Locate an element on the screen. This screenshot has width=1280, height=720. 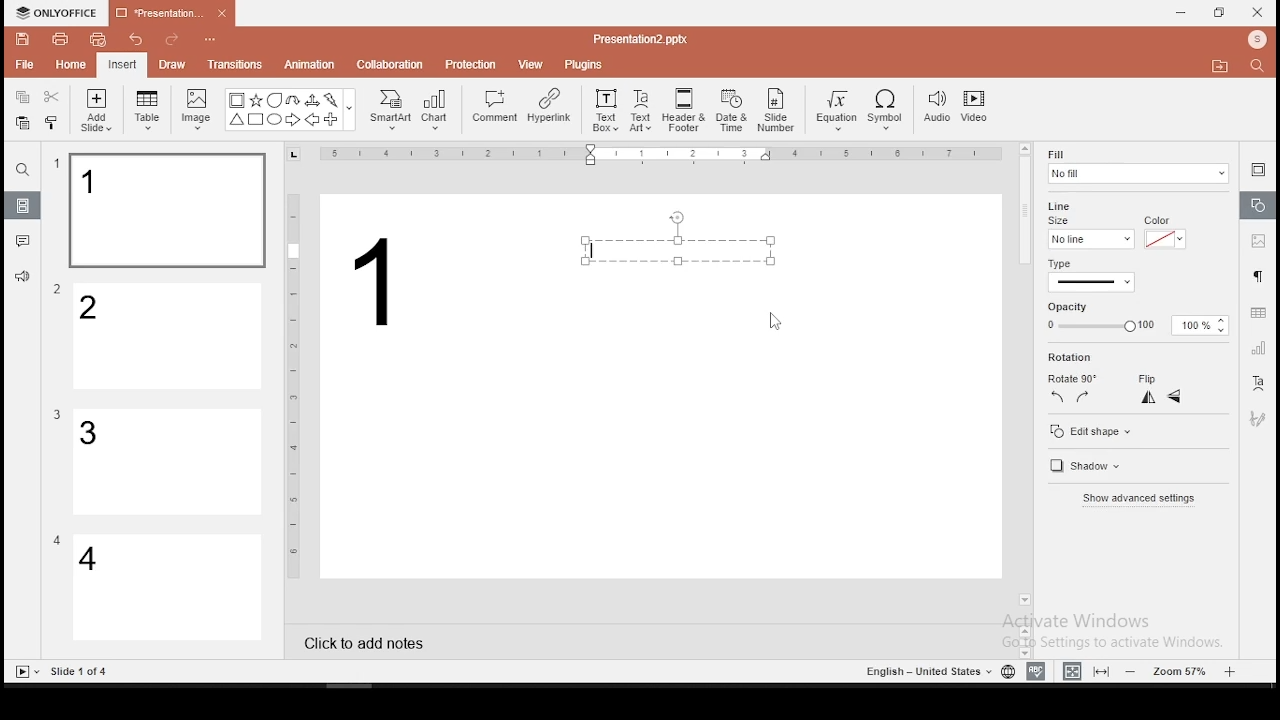
opacity is located at coordinates (1134, 326).